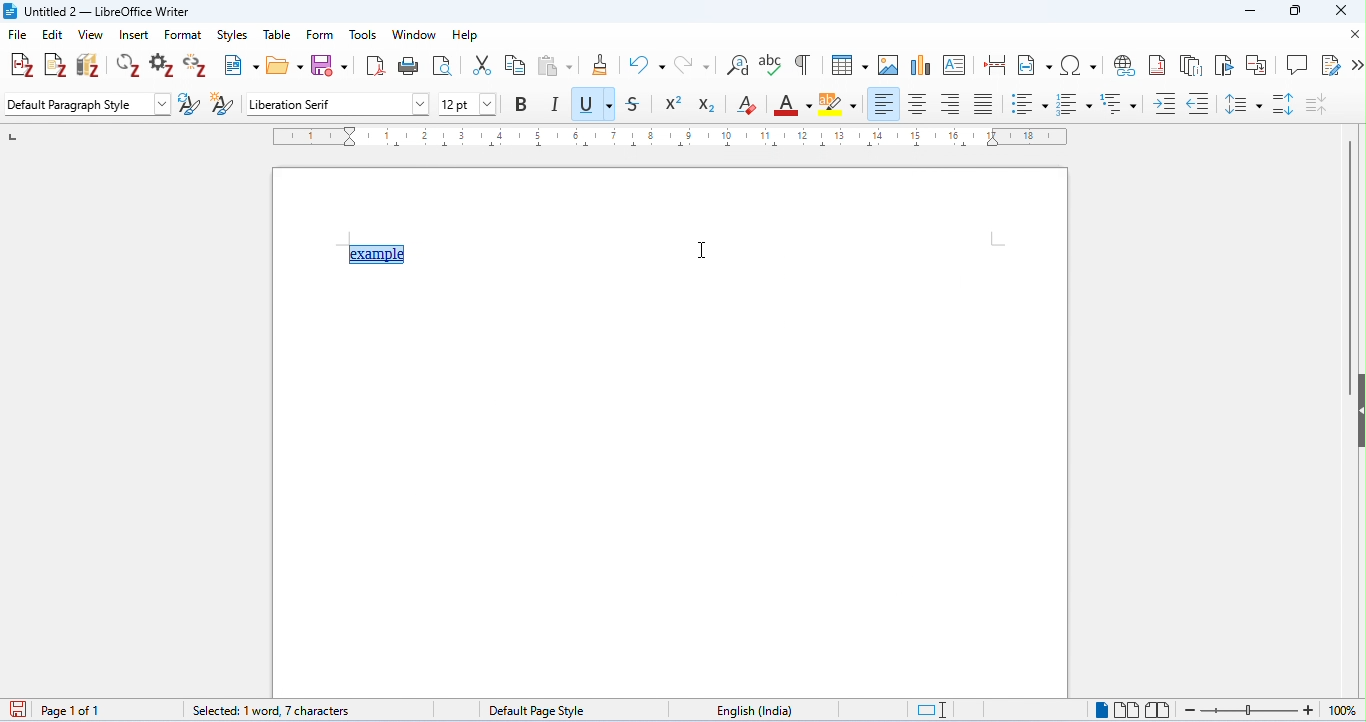  Describe the element at coordinates (260, 711) in the screenshot. I see `0 words, 0 characters` at that location.